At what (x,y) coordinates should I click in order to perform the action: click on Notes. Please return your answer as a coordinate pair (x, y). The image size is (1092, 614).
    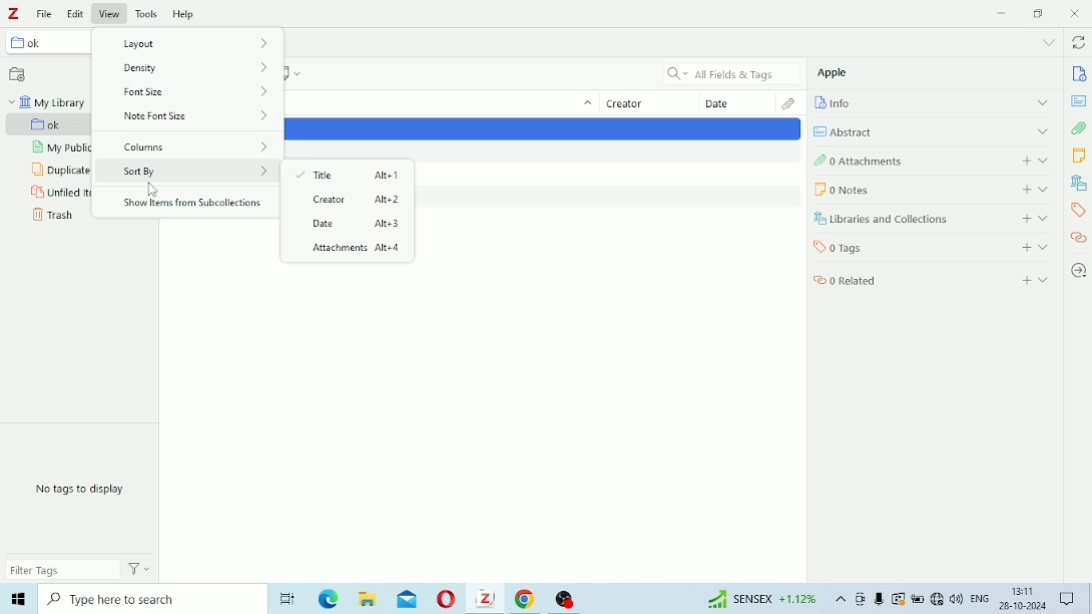
    Looking at the image, I should click on (1081, 157).